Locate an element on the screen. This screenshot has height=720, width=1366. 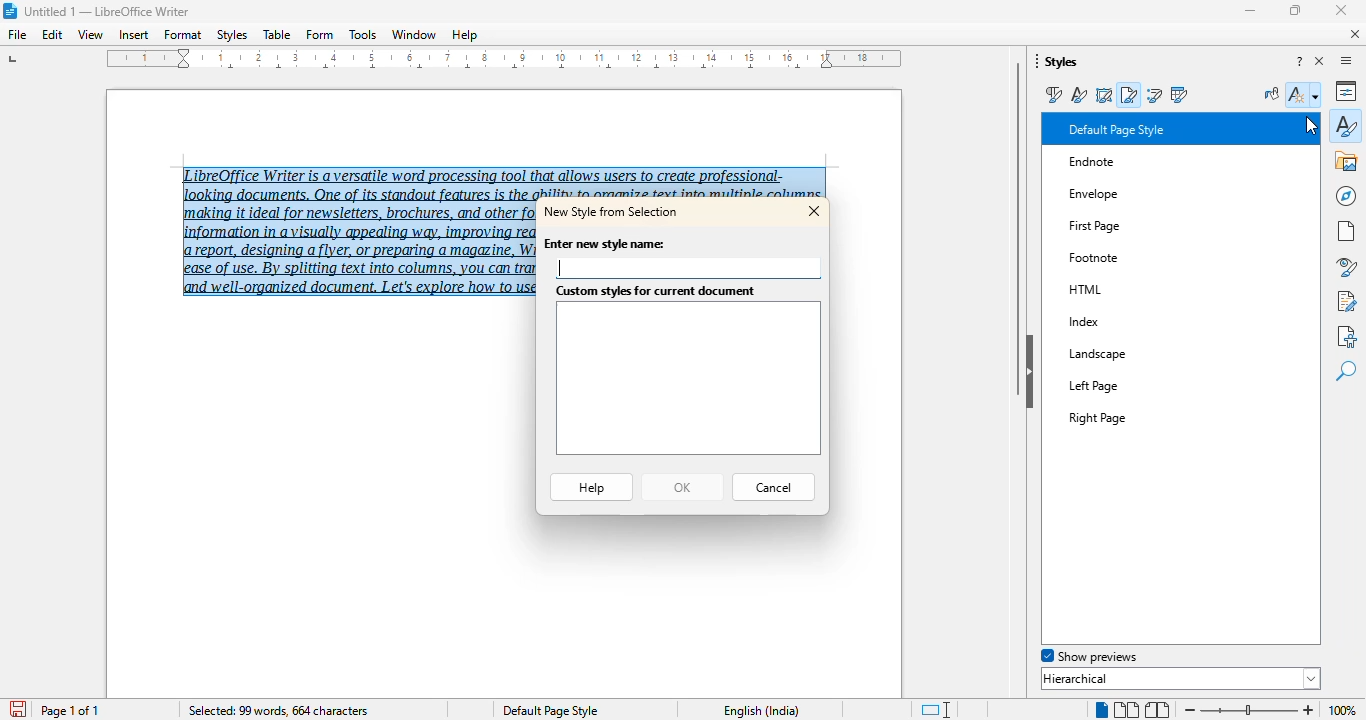
close sidebar deck is located at coordinates (1321, 62).